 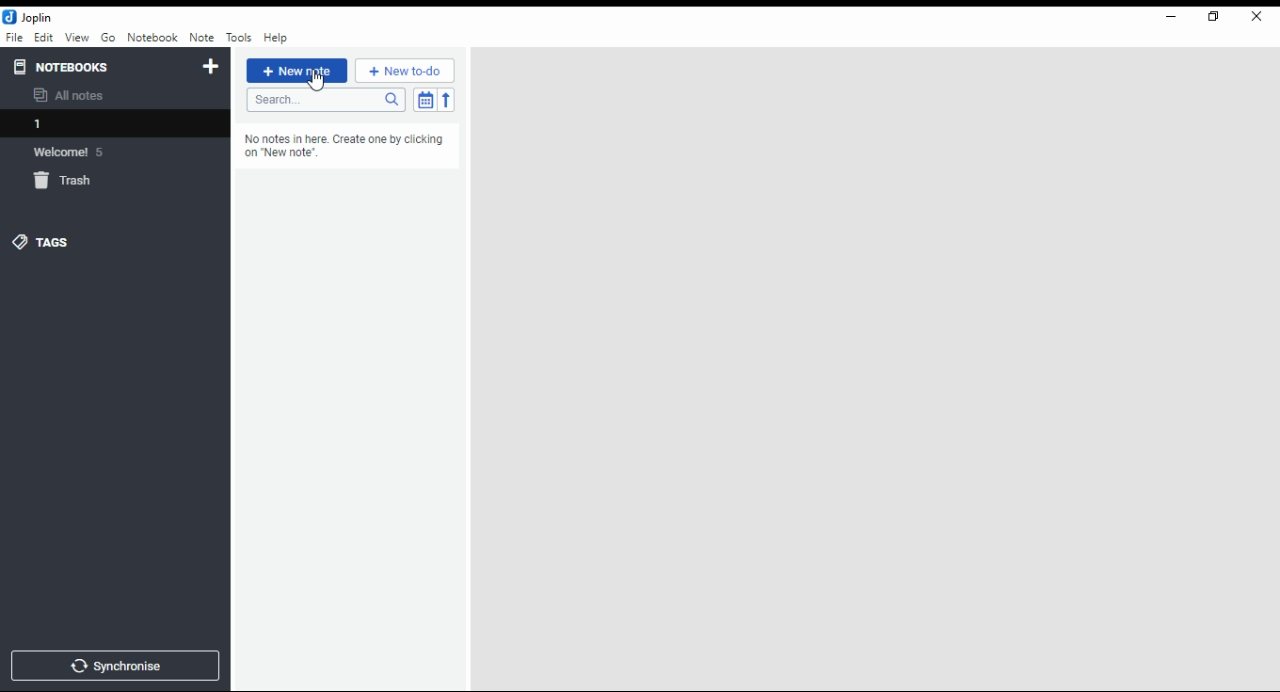 I want to click on go, so click(x=108, y=38).